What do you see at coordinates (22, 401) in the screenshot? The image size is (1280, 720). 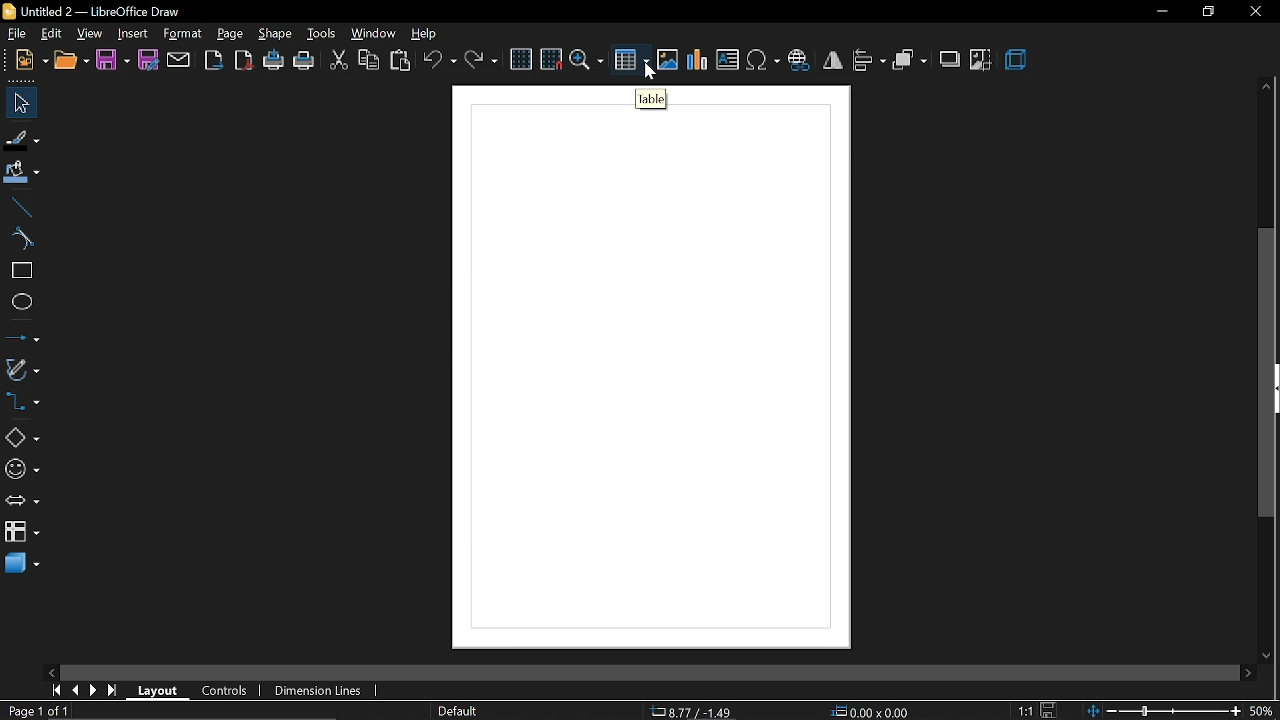 I see `connector` at bounding box center [22, 401].